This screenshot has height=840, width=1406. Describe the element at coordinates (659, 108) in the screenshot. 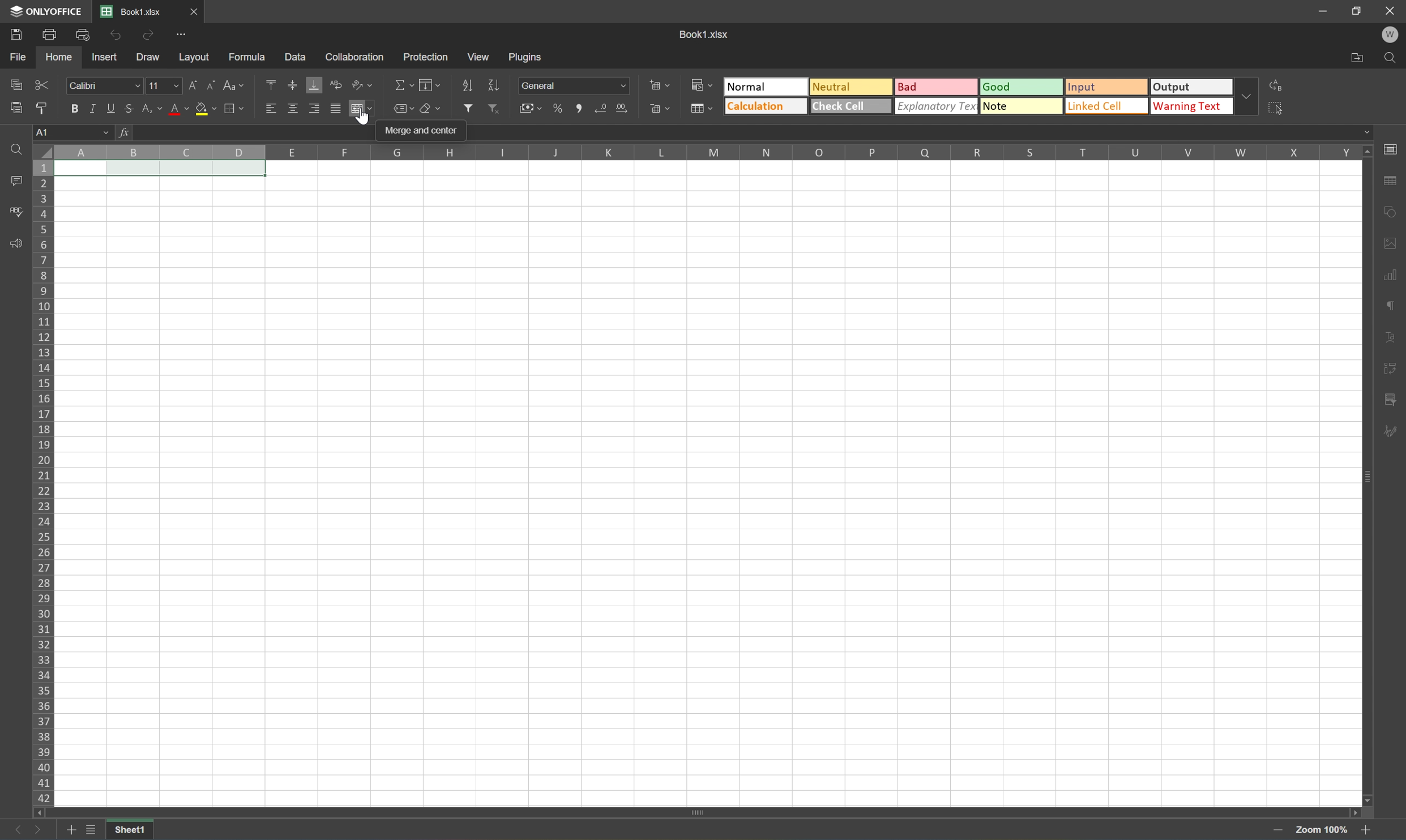

I see `Delete cells` at that location.